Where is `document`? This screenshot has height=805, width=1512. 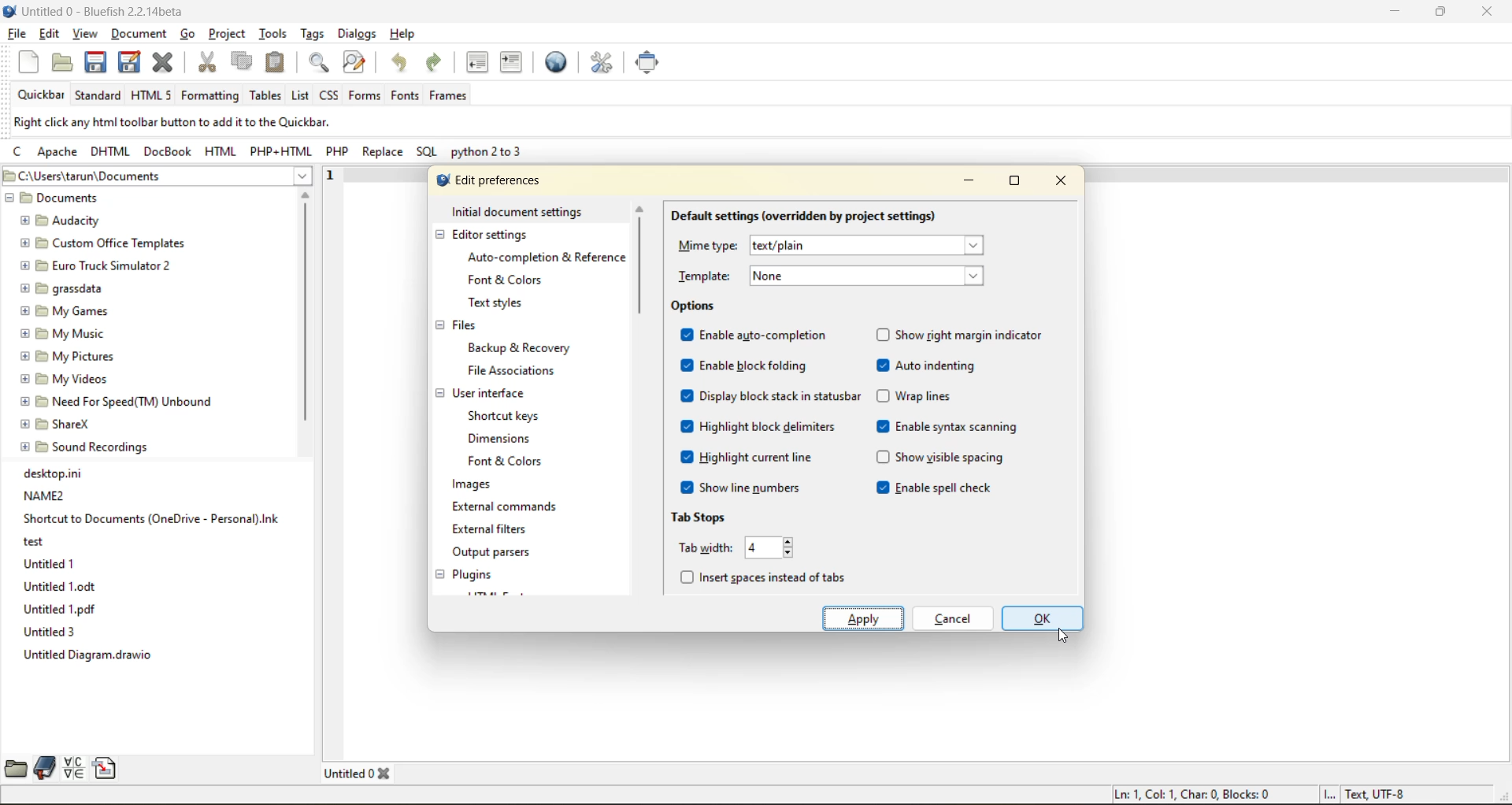 document is located at coordinates (141, 36).